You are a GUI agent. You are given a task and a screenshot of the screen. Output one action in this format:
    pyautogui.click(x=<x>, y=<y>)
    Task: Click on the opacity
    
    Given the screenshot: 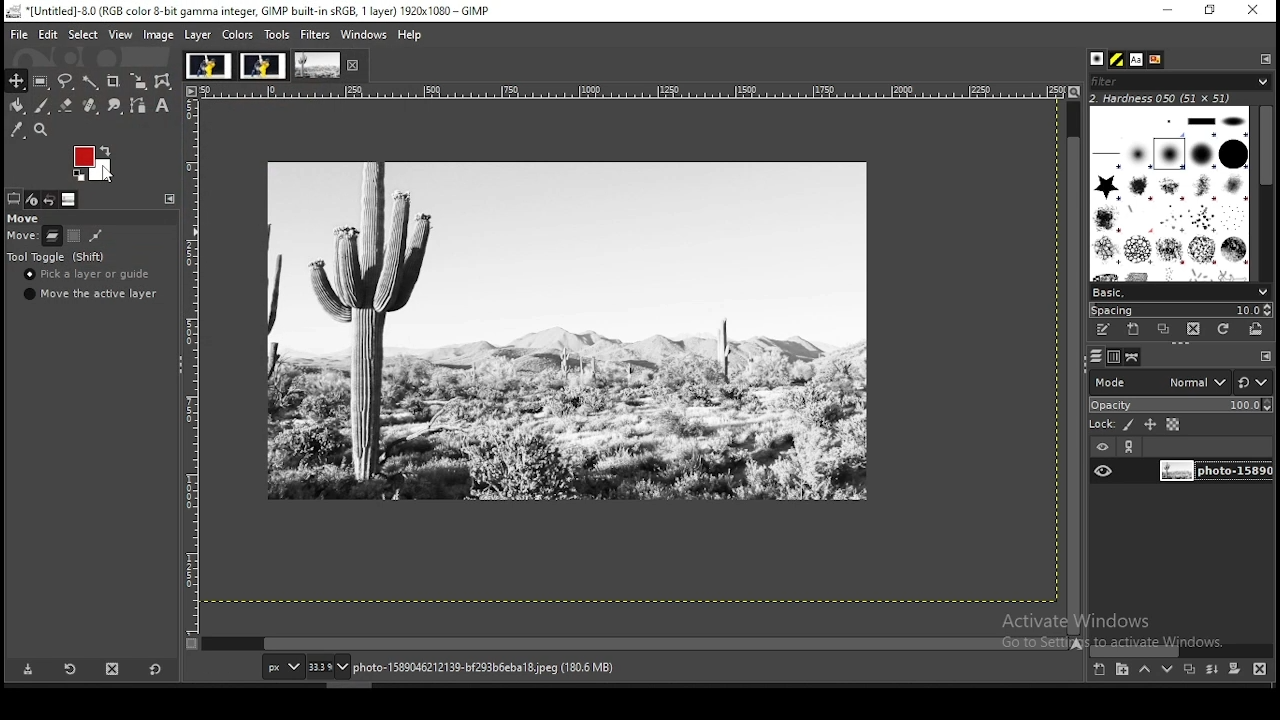 What is the action you would take?
    pyautogui.click(x=1179, y=403)
    